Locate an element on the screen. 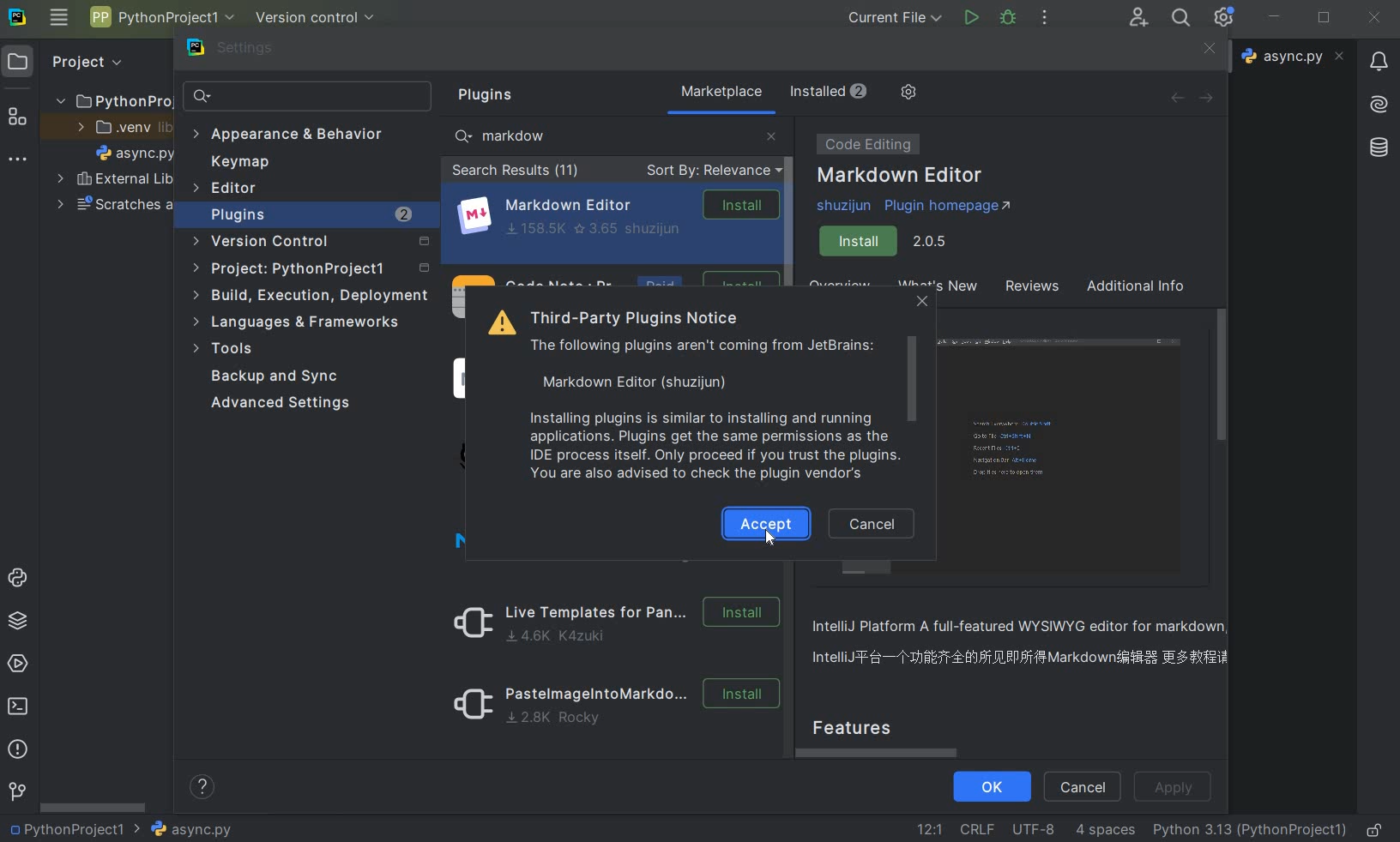 The image size is (1400, 842). Markdown Editor is located at coordinates (902, 177).